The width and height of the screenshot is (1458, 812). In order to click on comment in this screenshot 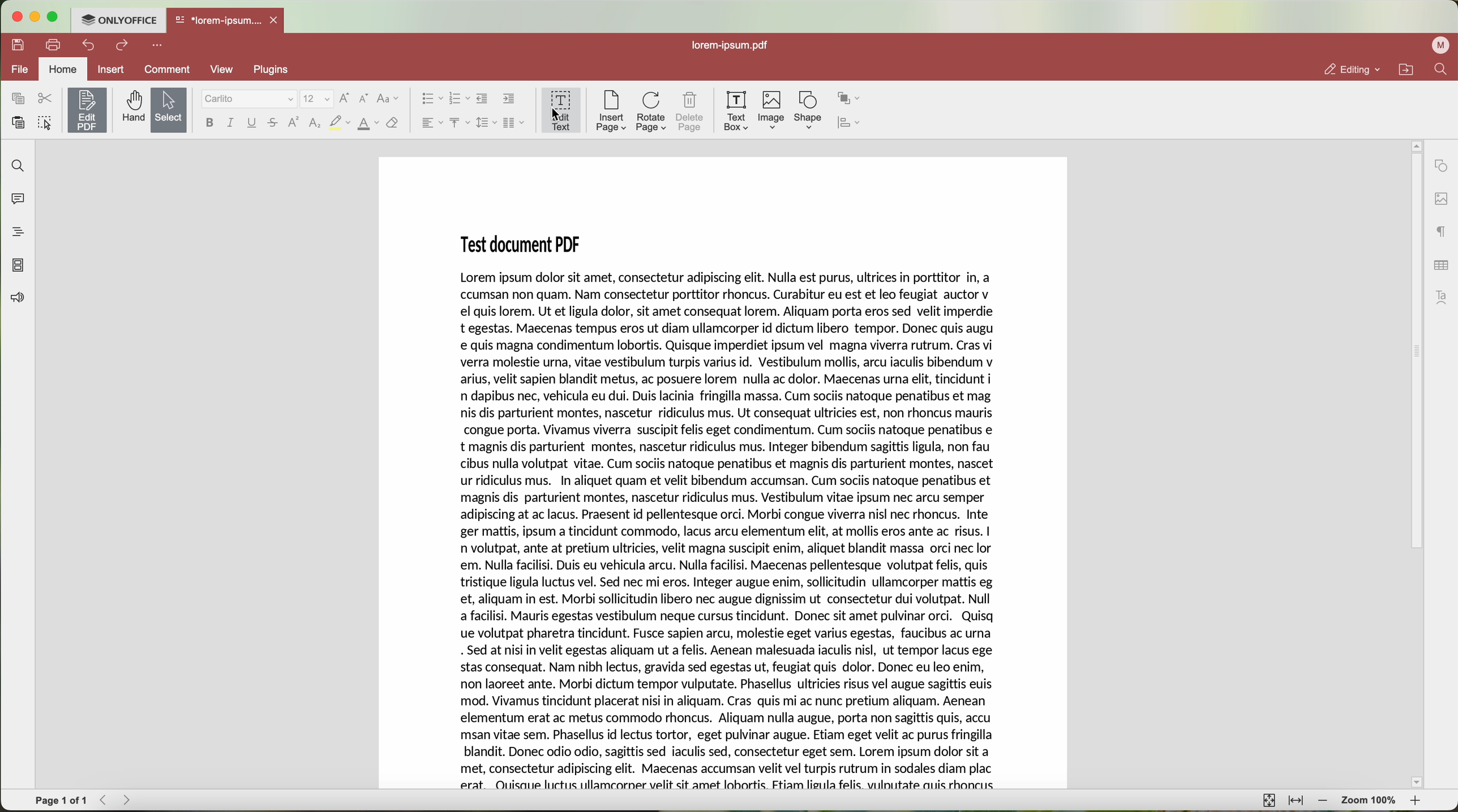, I will do `click(168, 70)`.